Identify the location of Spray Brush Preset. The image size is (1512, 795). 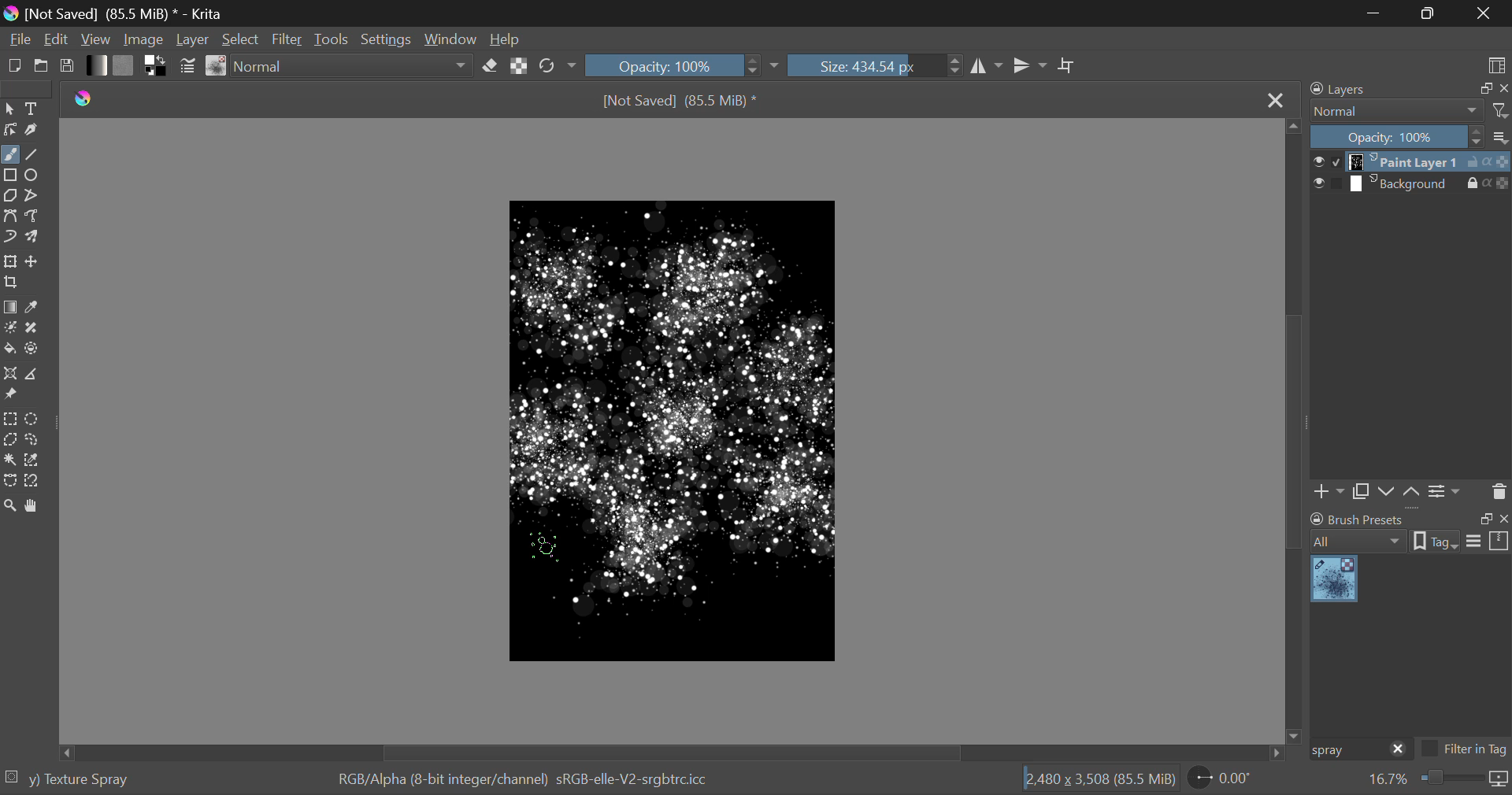
(1334, 580).